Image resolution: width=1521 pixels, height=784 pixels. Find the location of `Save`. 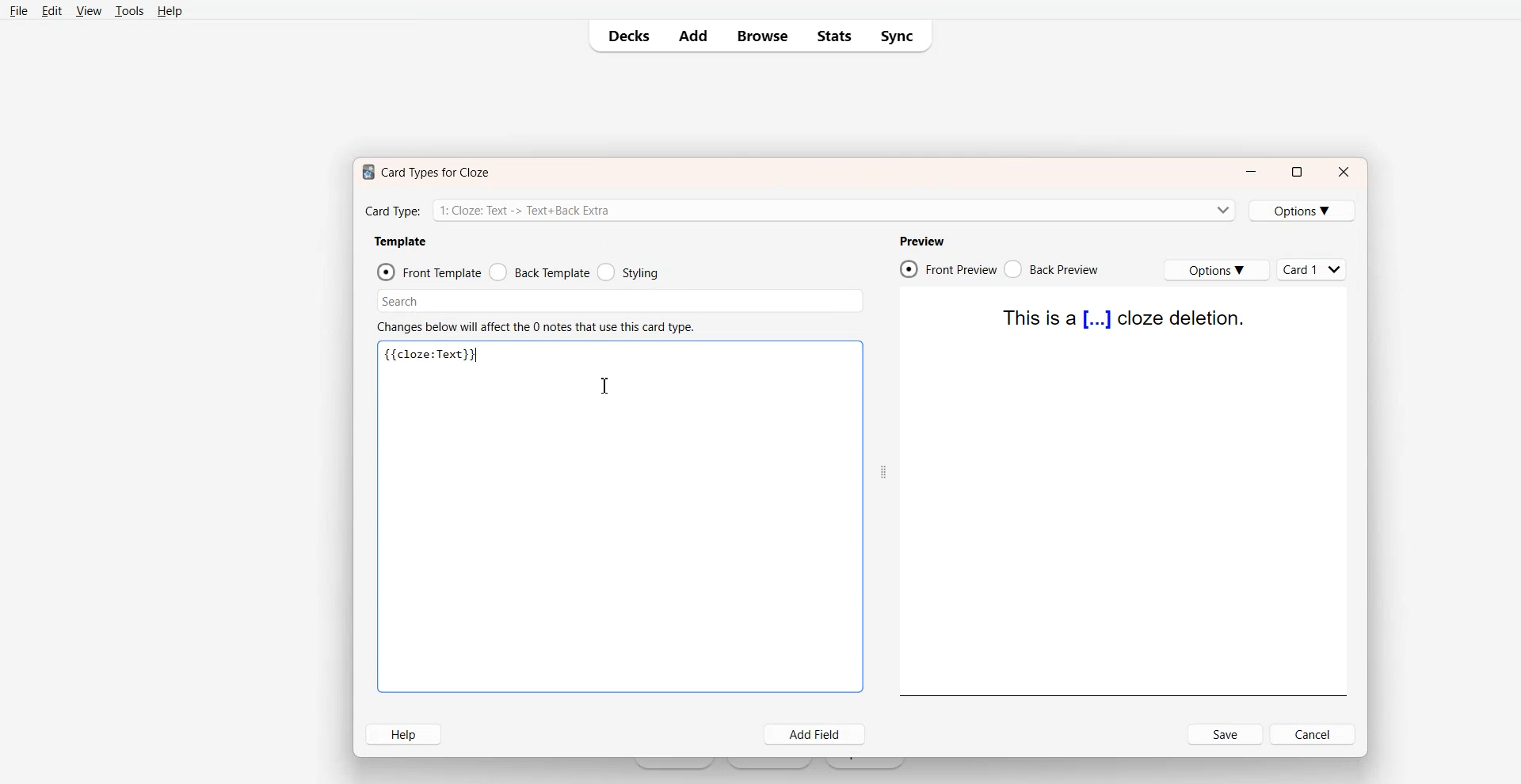

Save is located at coordinates (1226, 734).